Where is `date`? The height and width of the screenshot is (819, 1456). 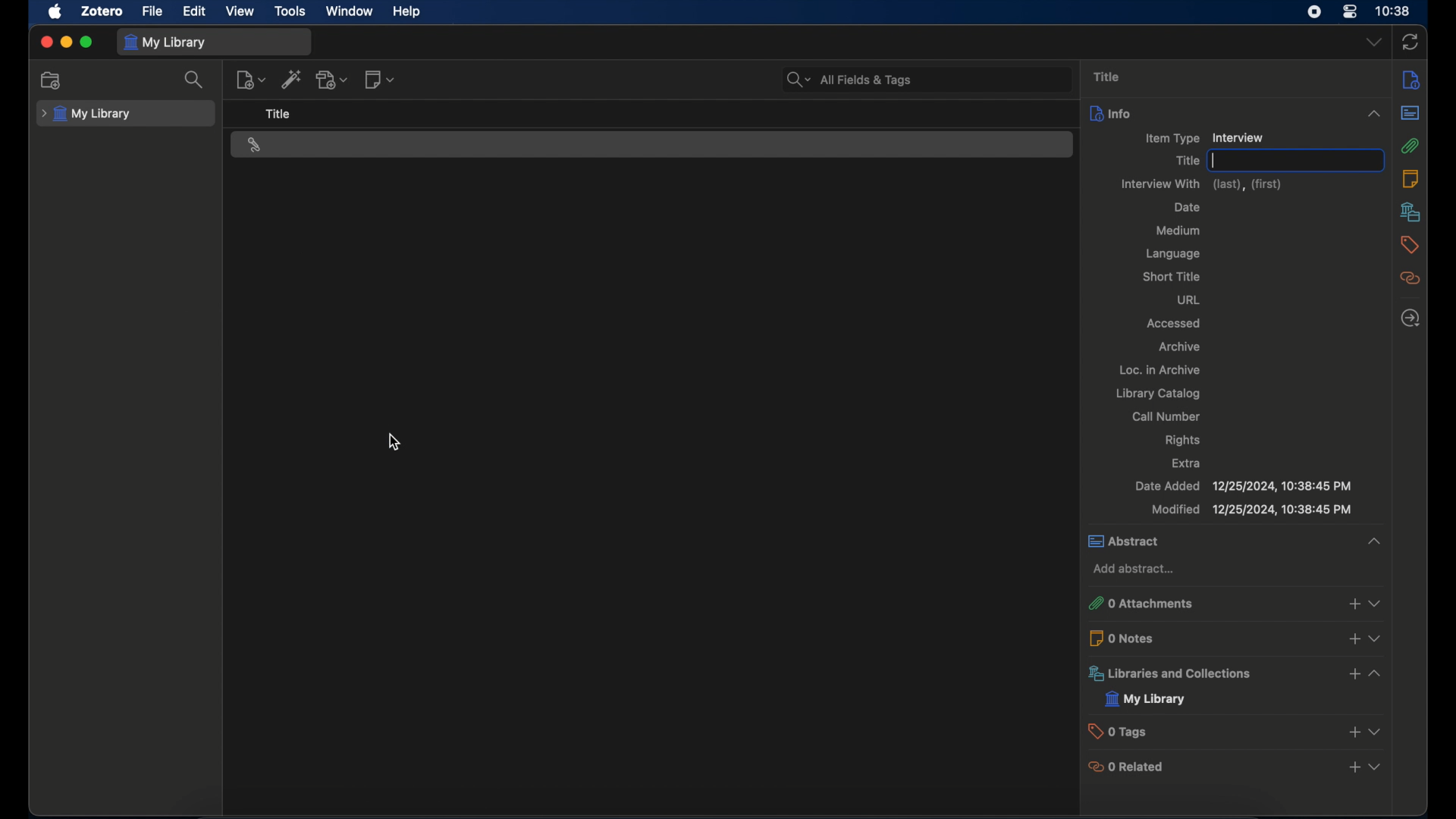
date is located at coordinates (1188, 207).